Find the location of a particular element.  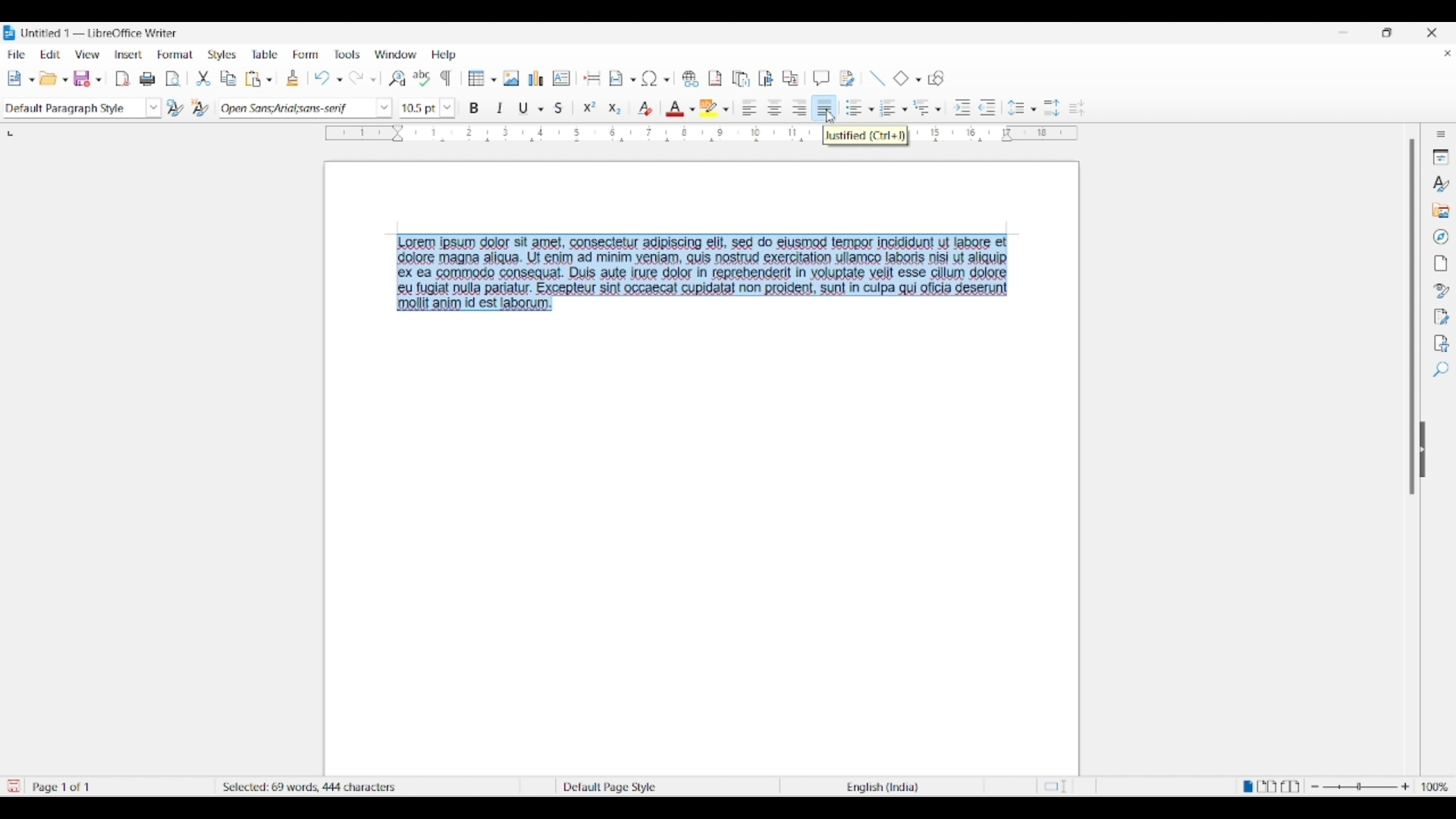

Edit is located at coordinates (50, 54).